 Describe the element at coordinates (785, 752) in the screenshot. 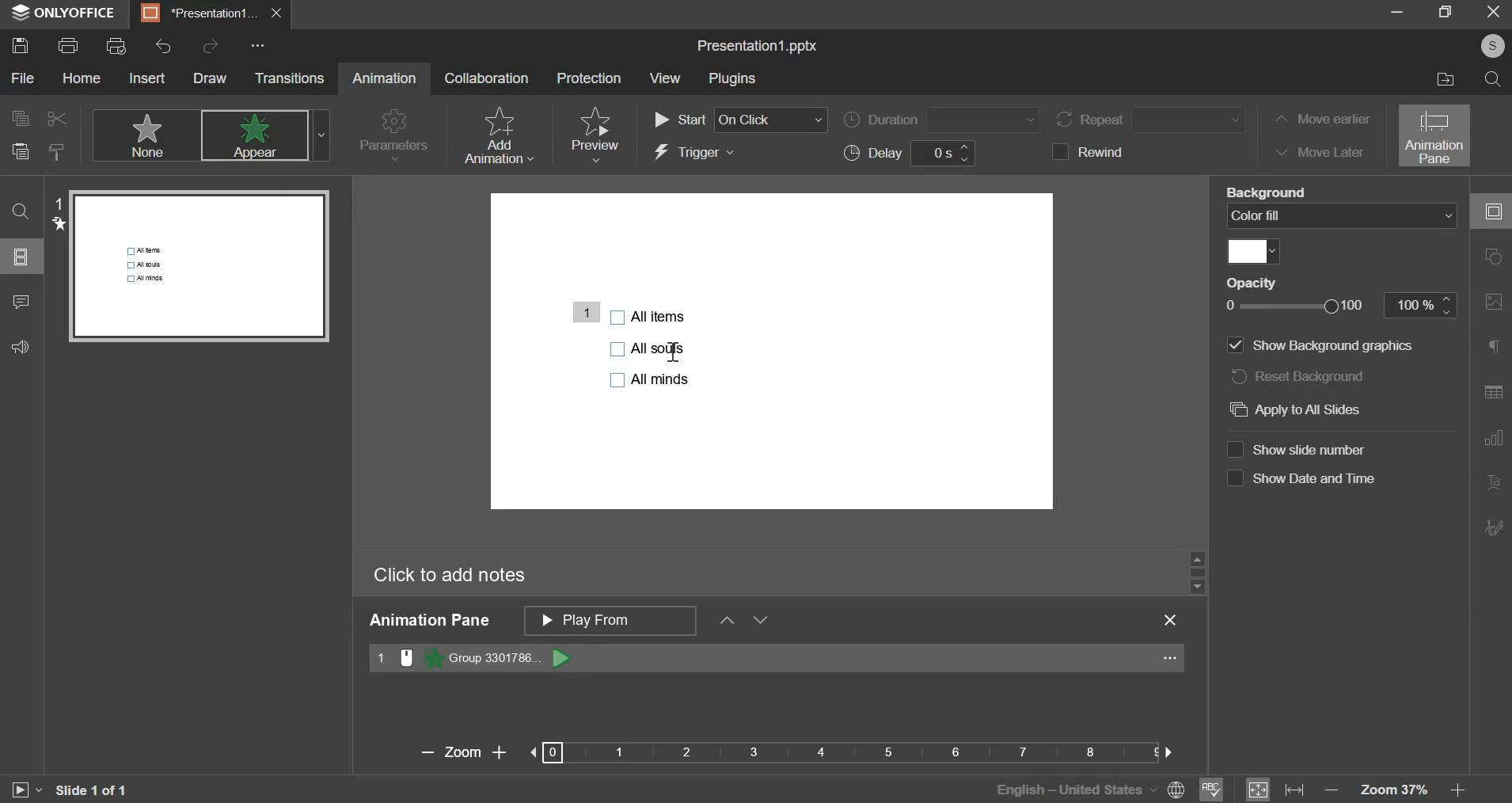

I see `zoom` at that location.